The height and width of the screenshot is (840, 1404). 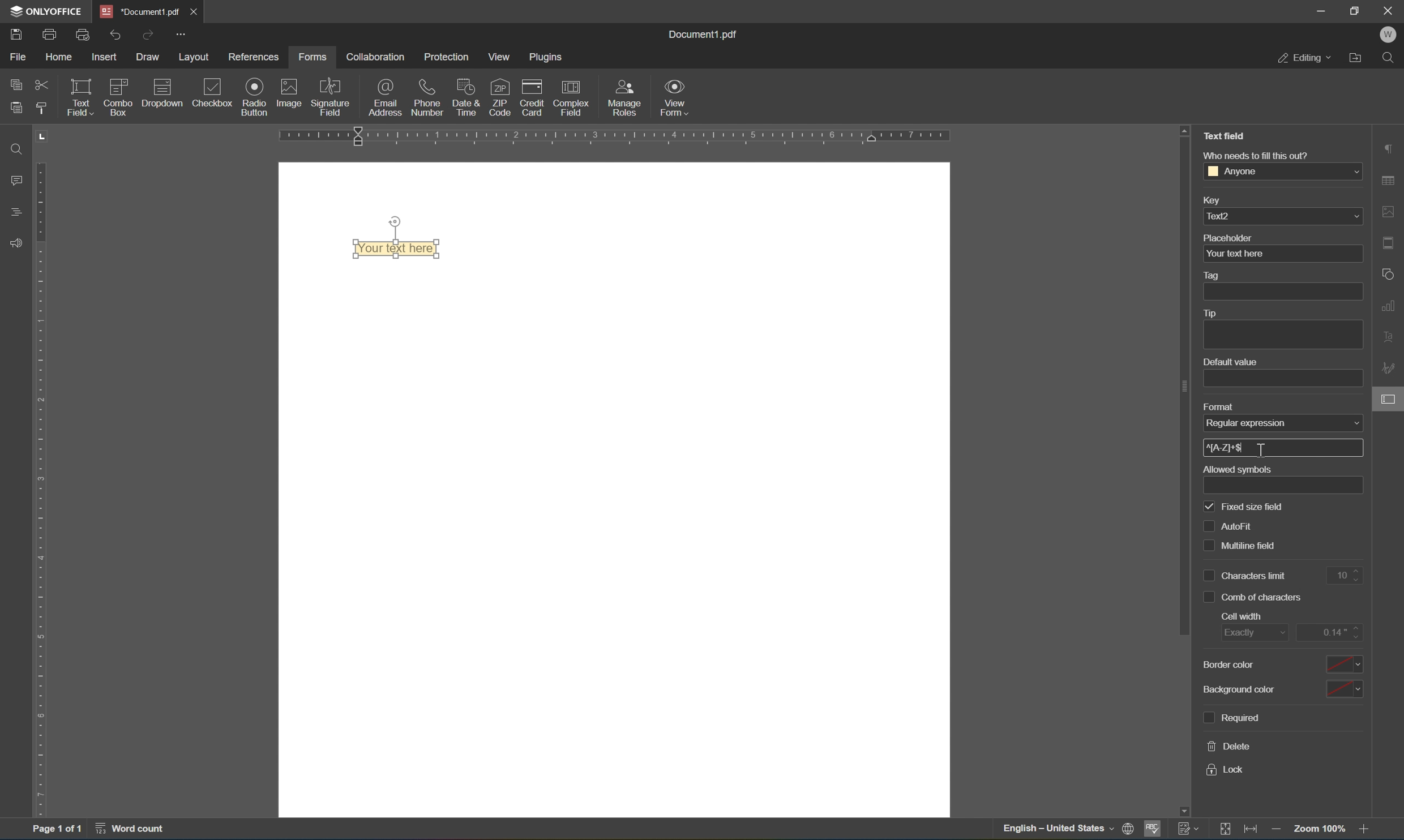 What do you see at coordinates (60, 55) in the screenshot?
I see `home` at bounding box center [60, 55].